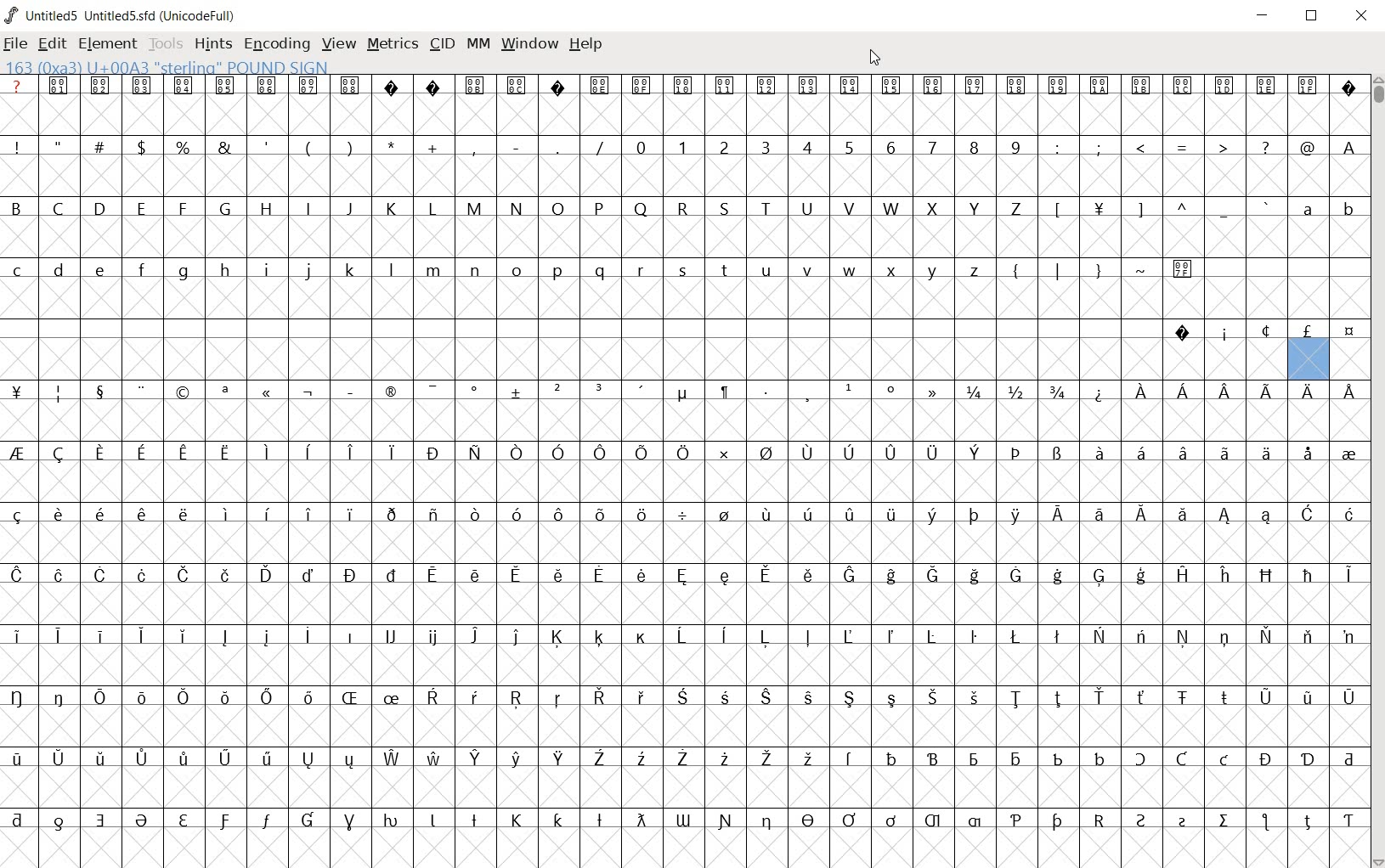 The width and height of the screenshot is (1385, 868). I want to click on Symbol, so click(974, 85).